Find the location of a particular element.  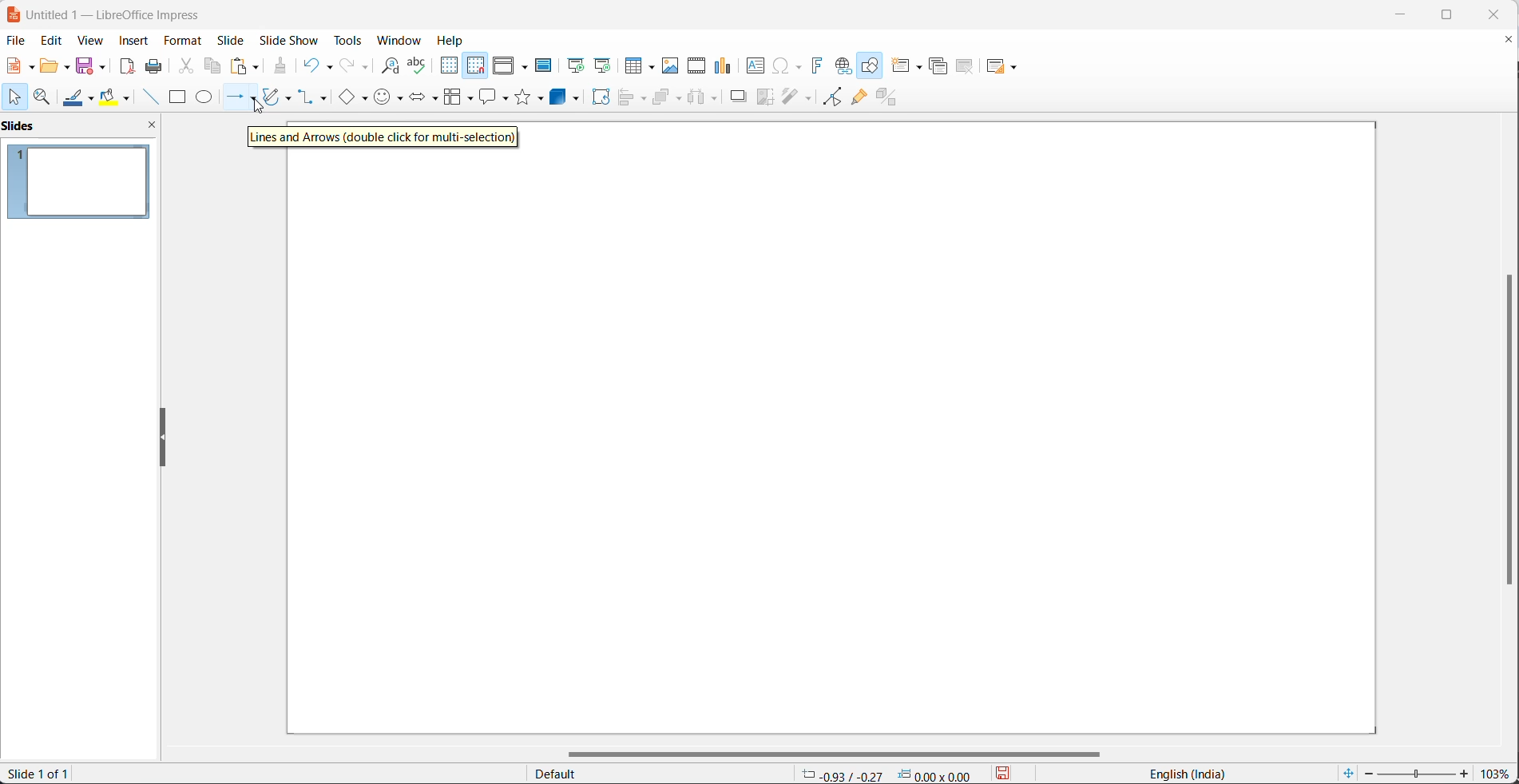

display view is located at coordinates (510, 65).